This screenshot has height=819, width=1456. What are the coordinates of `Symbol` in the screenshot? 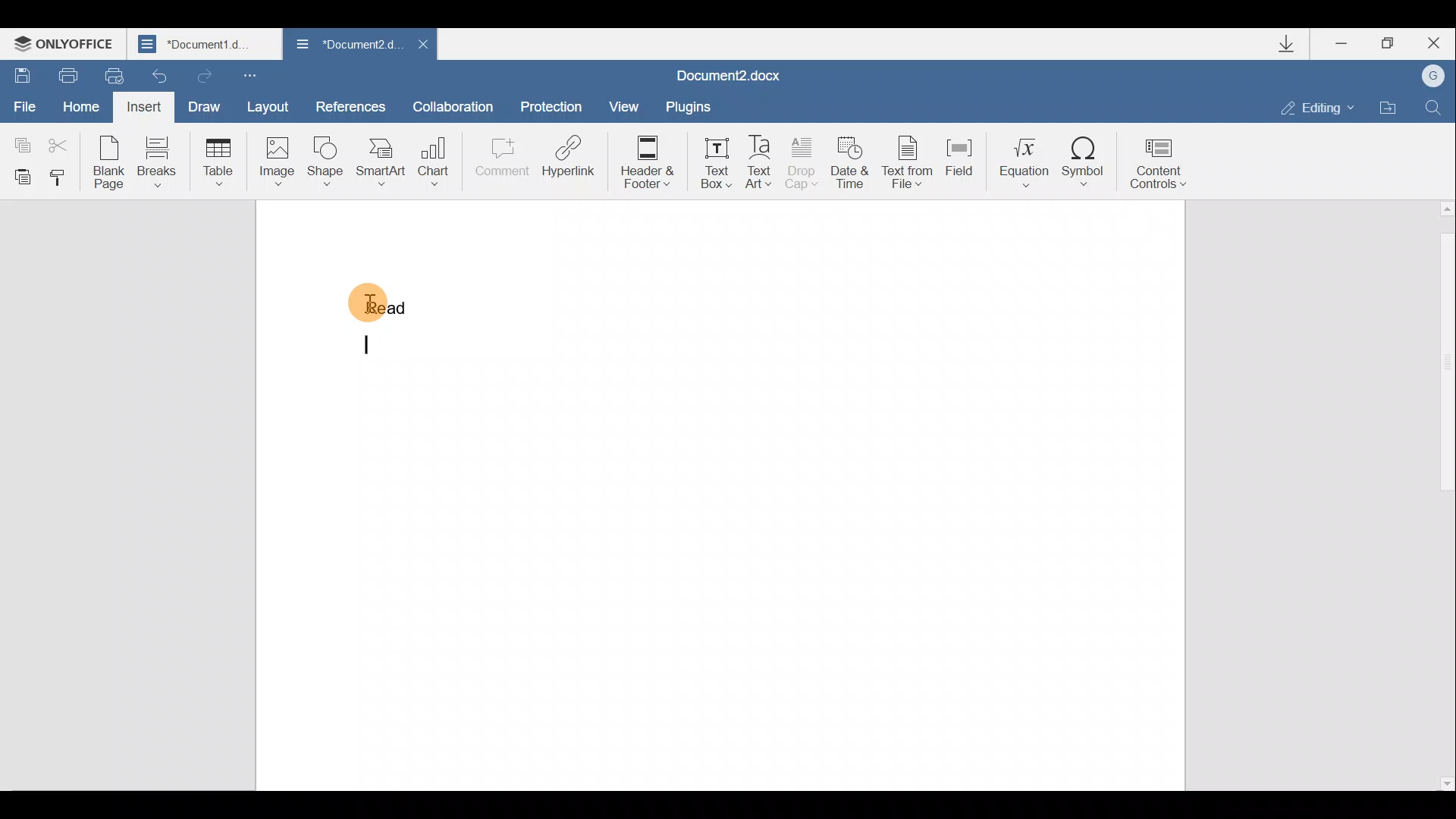 It's located at (1087, 162).